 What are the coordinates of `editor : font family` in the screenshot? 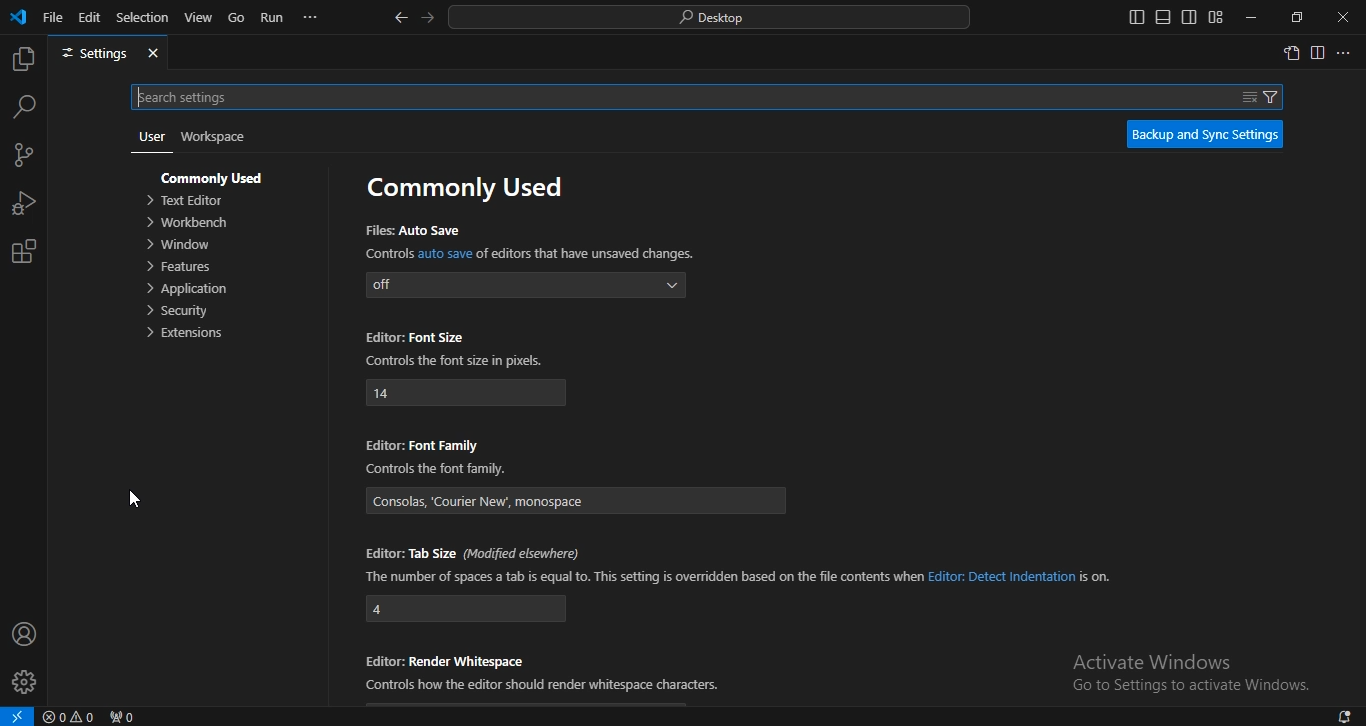 It's located at (422, 445).